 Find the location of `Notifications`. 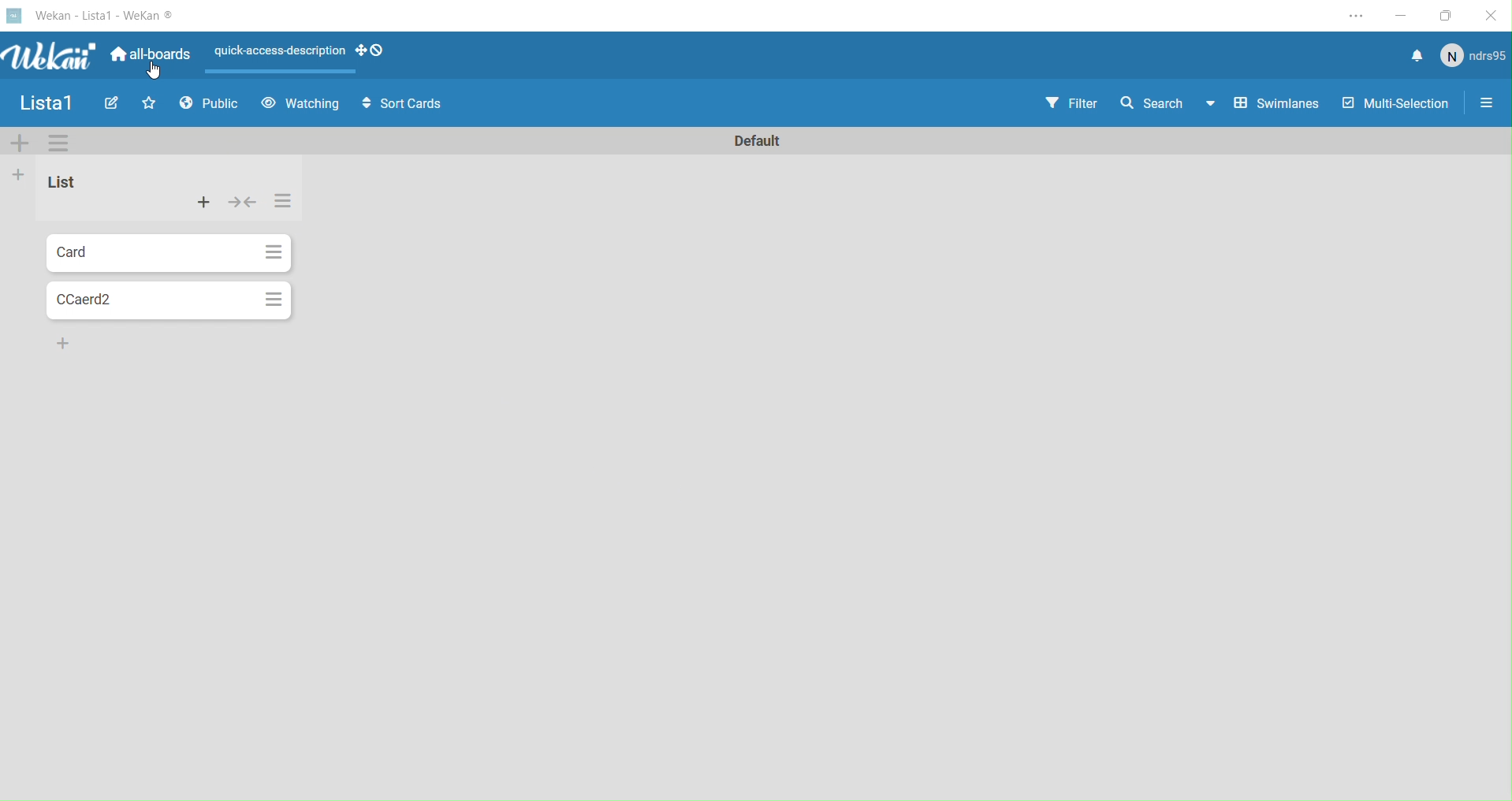

Notifications is located at coordinates (1410, 55).